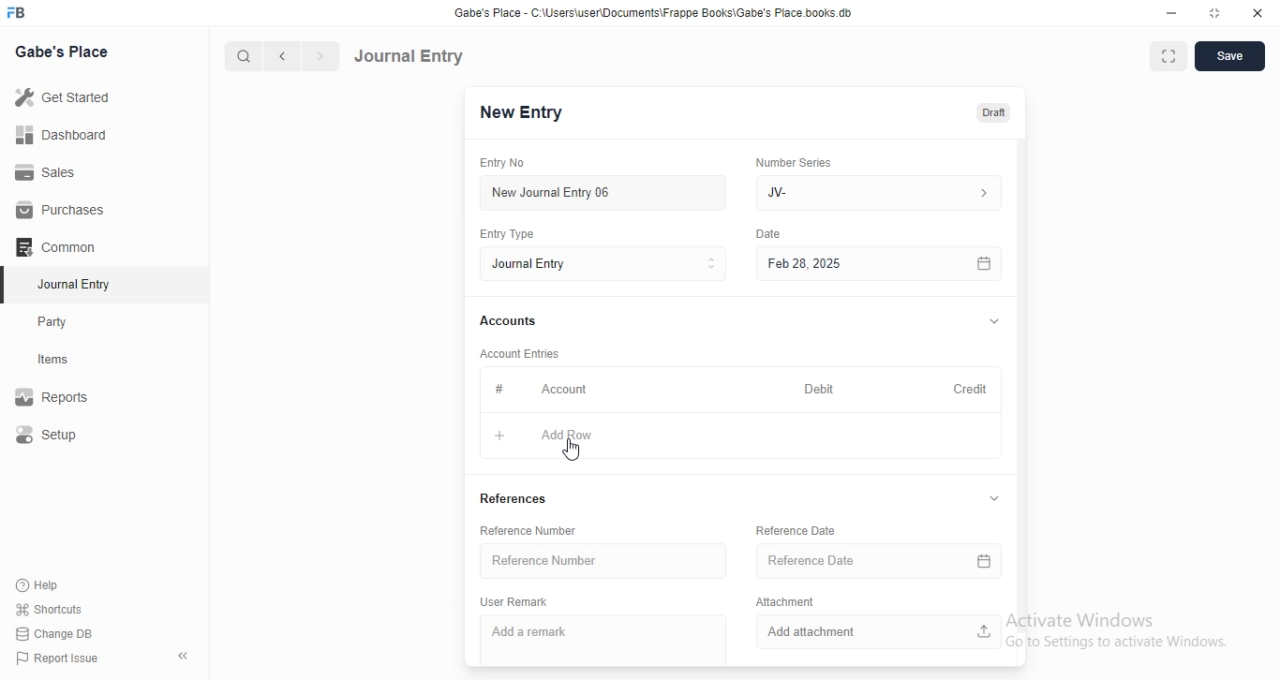 The height and width of the screenshot is (680, 1280). Describe the element at coordinates (66, 134) in the screenshot. I see `Dashboard` at that location.